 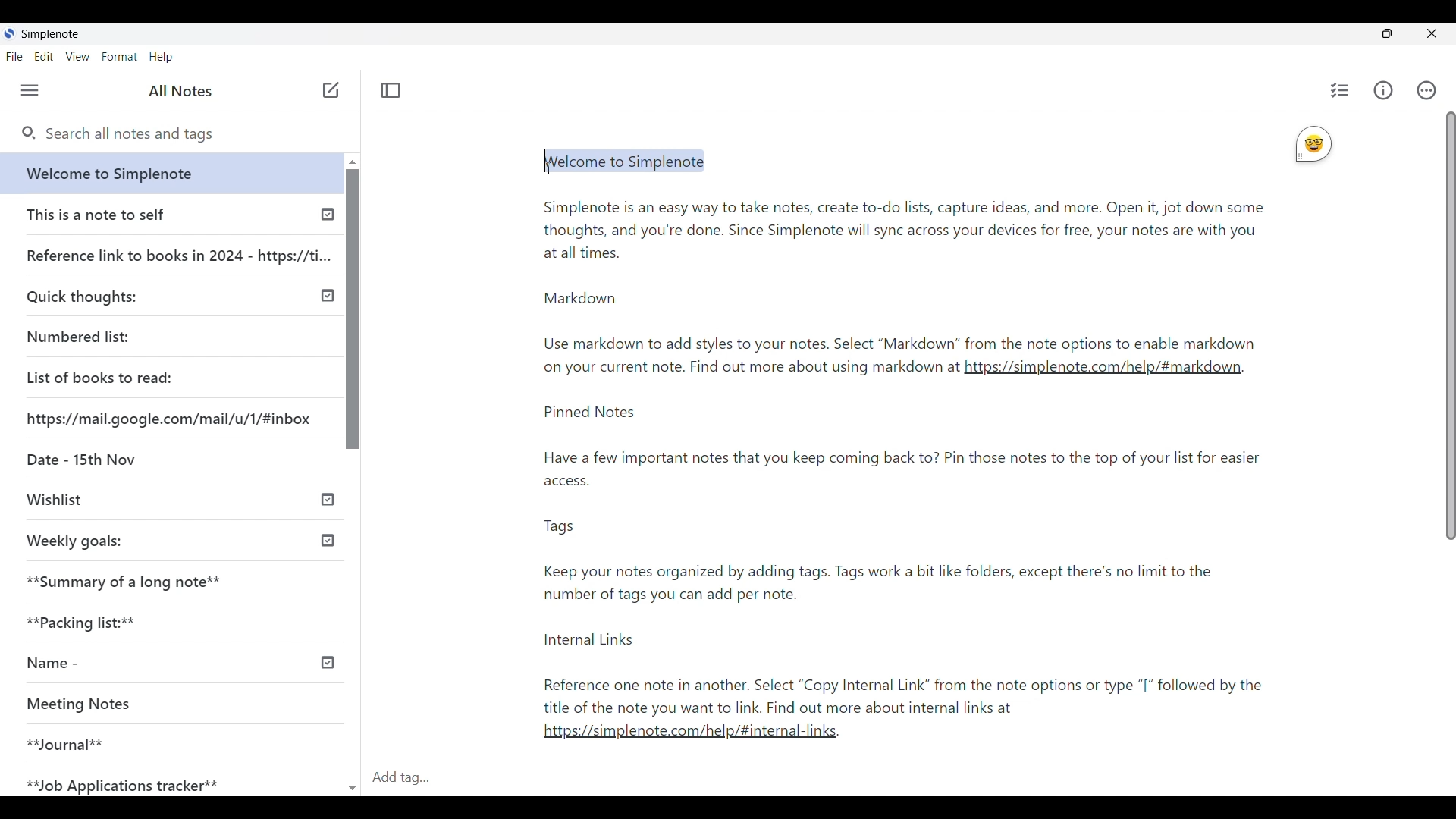 What do you see at coordinates (1434, 33) in the screenshot?
I see `Close interface` at bounding box center [1434, 33].